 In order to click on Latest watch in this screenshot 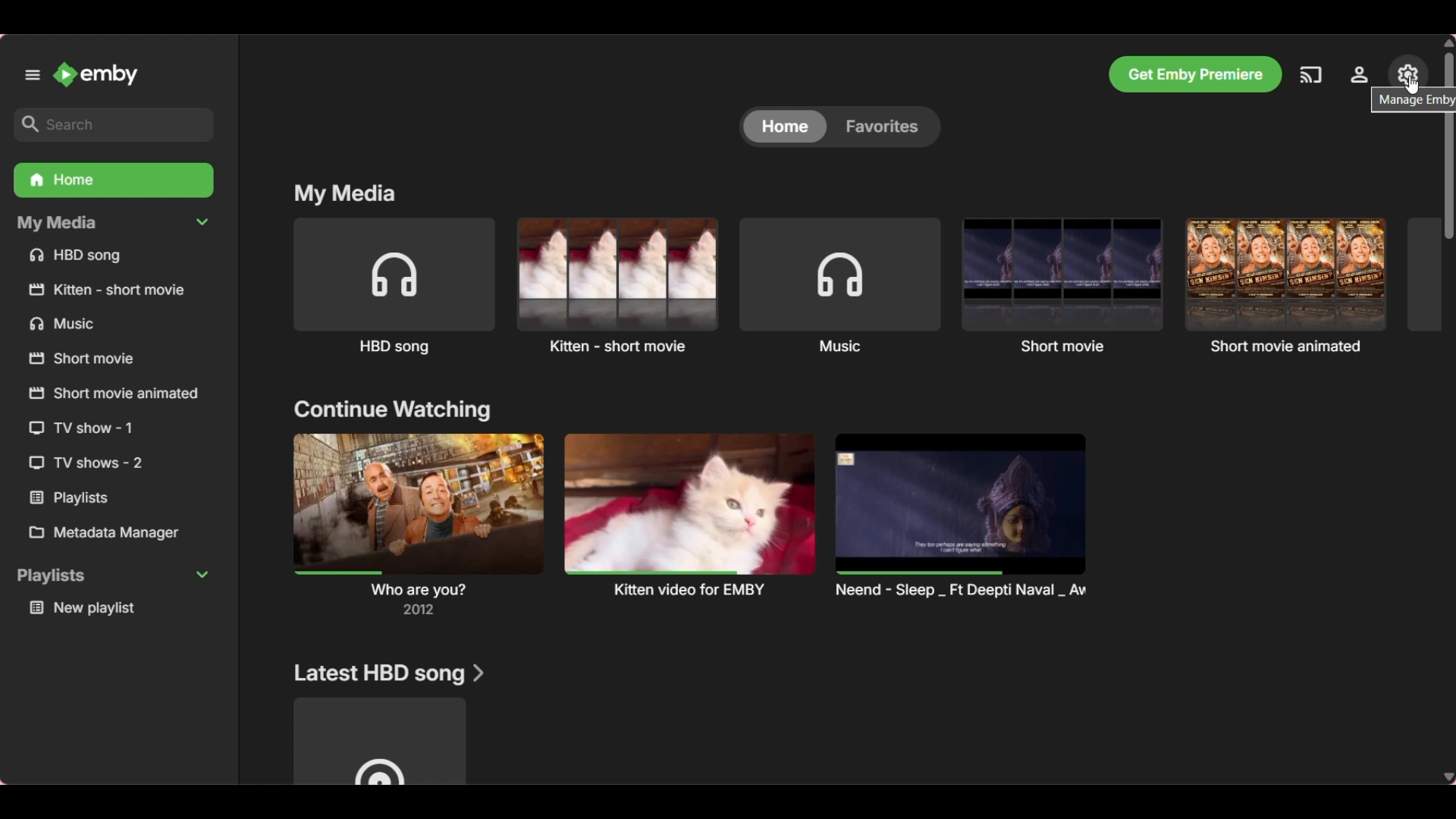, I will do `click(962, 517)`.